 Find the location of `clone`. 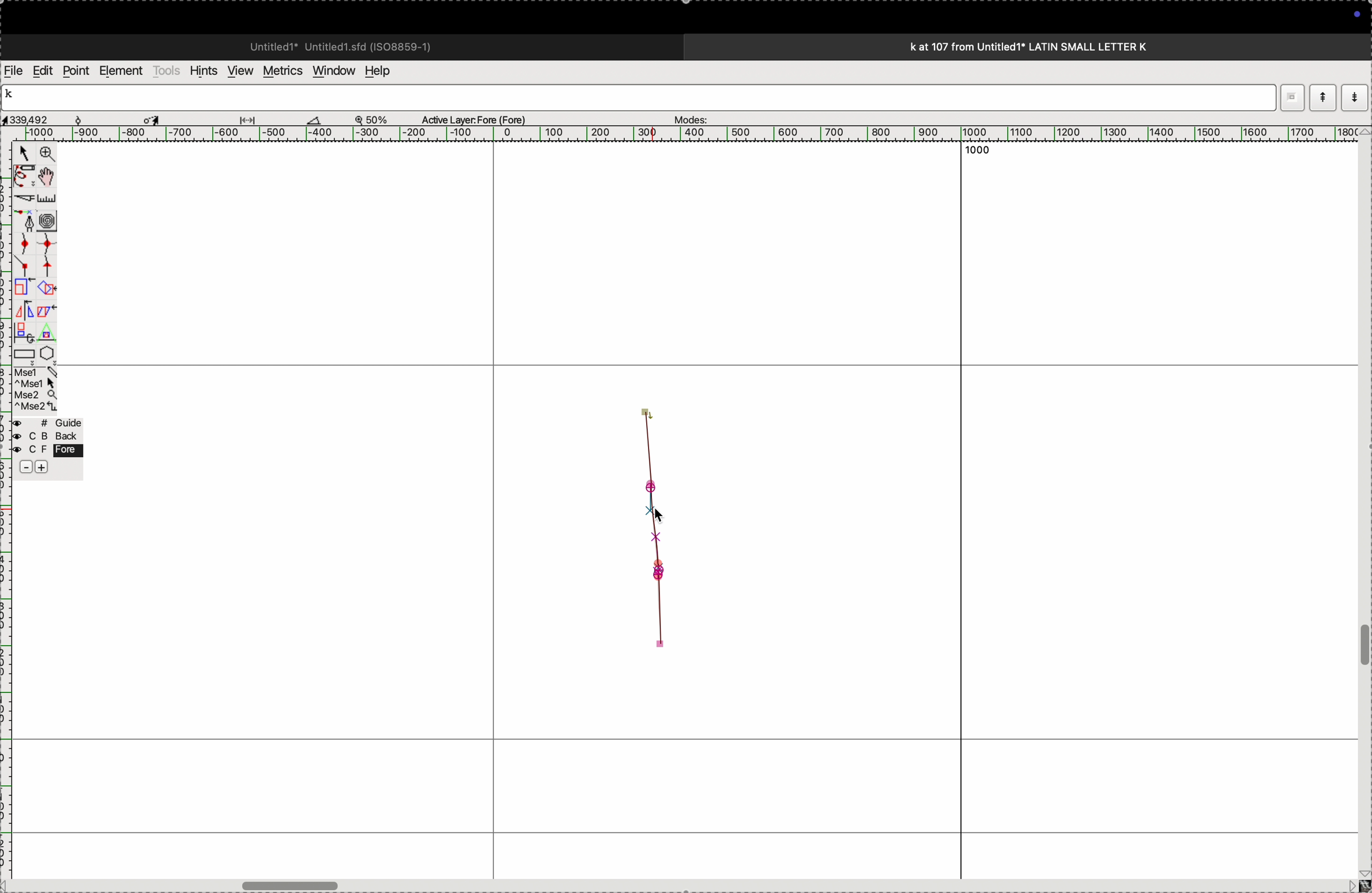

clone is located at coordinates (22, 288).